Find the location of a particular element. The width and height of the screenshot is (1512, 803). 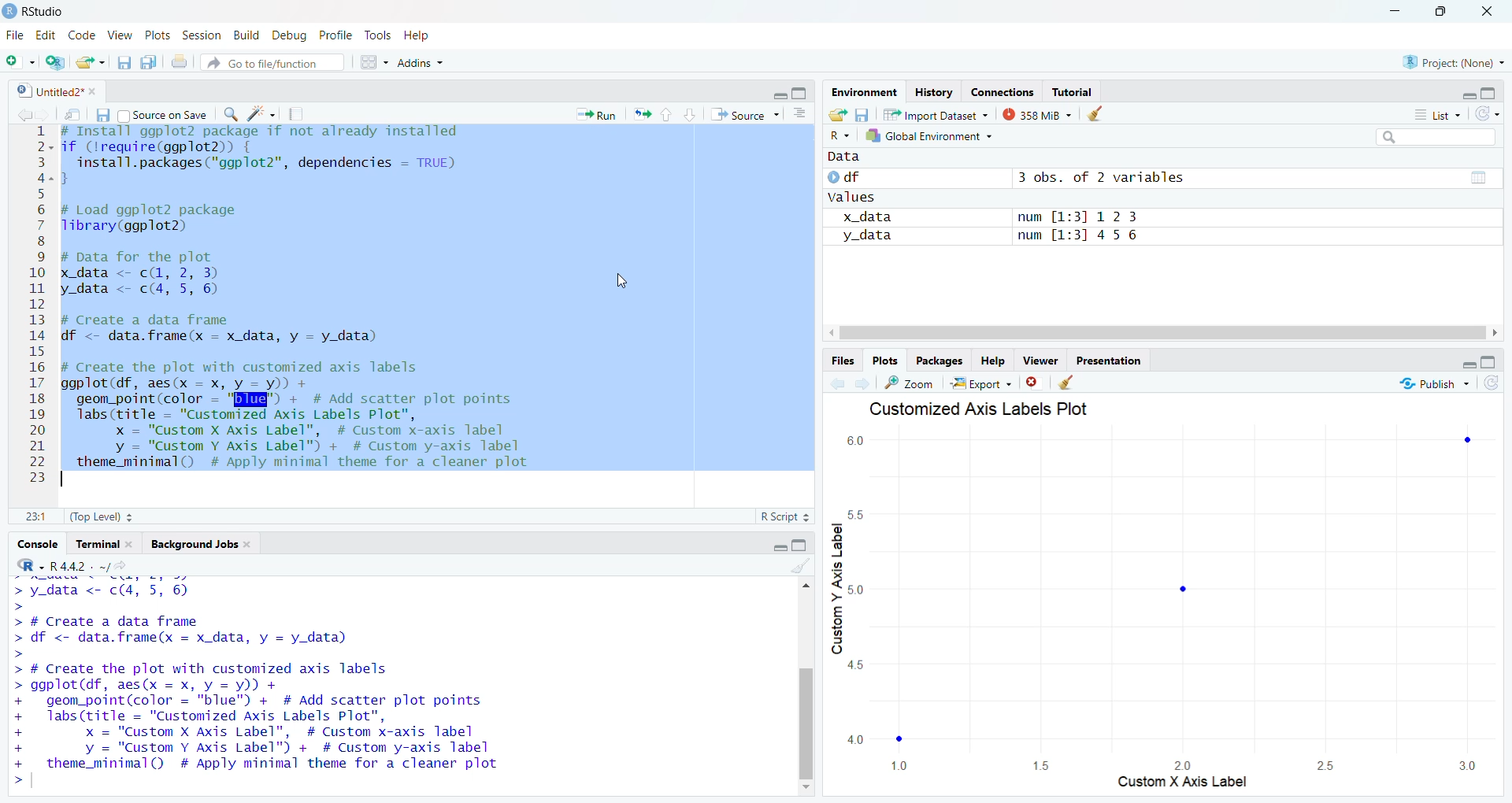

Console is located at coordinates (35, 542).